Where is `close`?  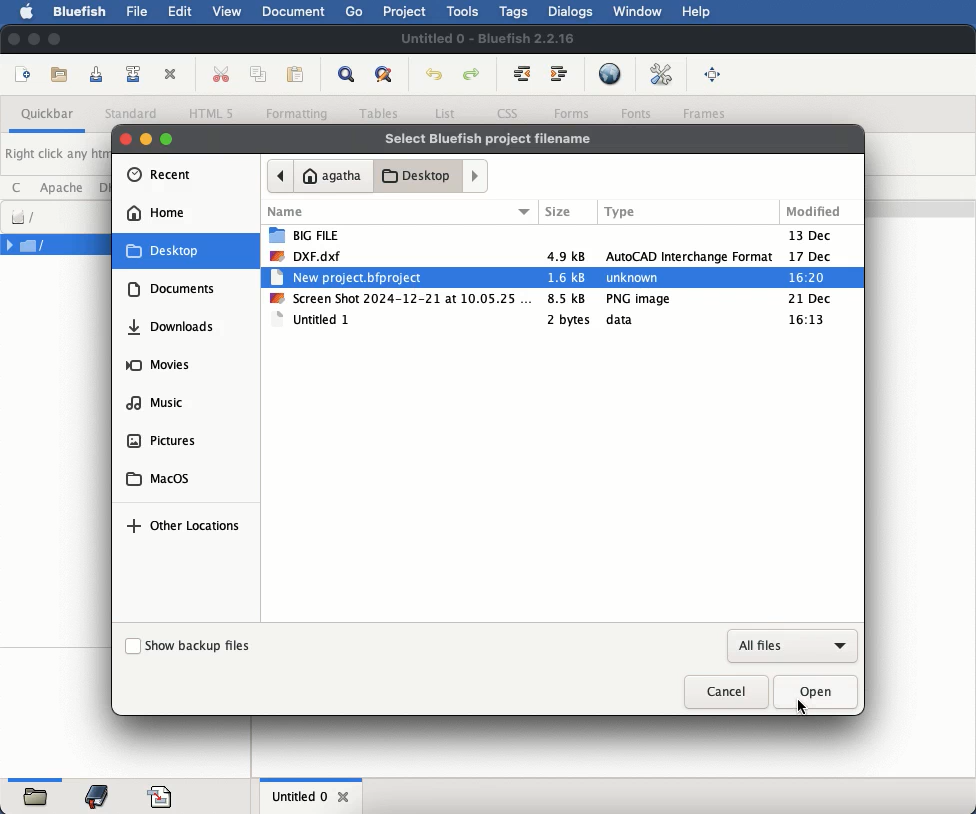
close is located at coordinates (127, 140).